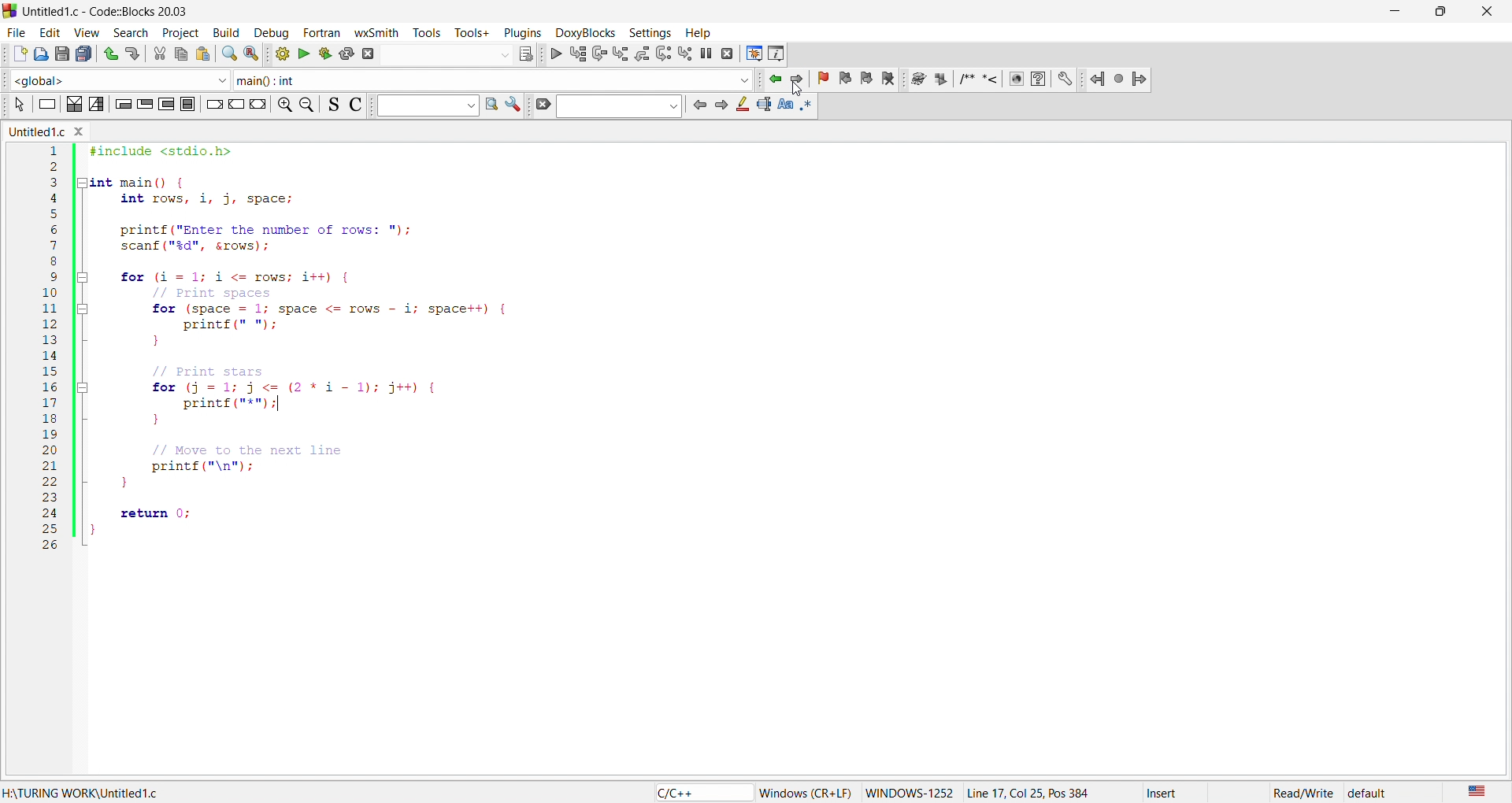 Image resolution: width=1512 pixels, height=803 pixels. Describe the element at coordinates (470, 30) in the screenshot. I see `tools+` at that location.